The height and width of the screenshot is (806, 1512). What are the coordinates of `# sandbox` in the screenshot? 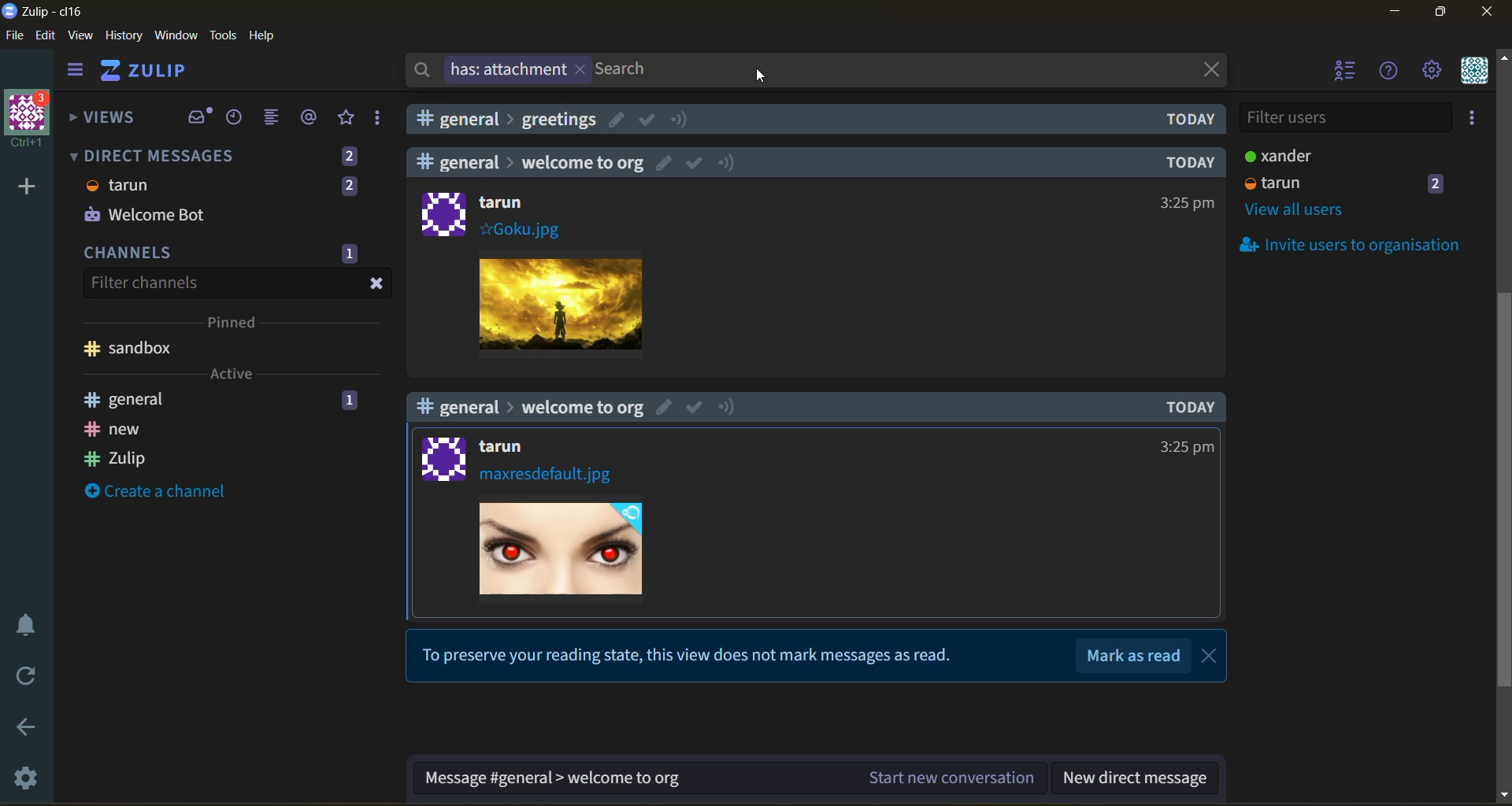 It's located at (131, 349).